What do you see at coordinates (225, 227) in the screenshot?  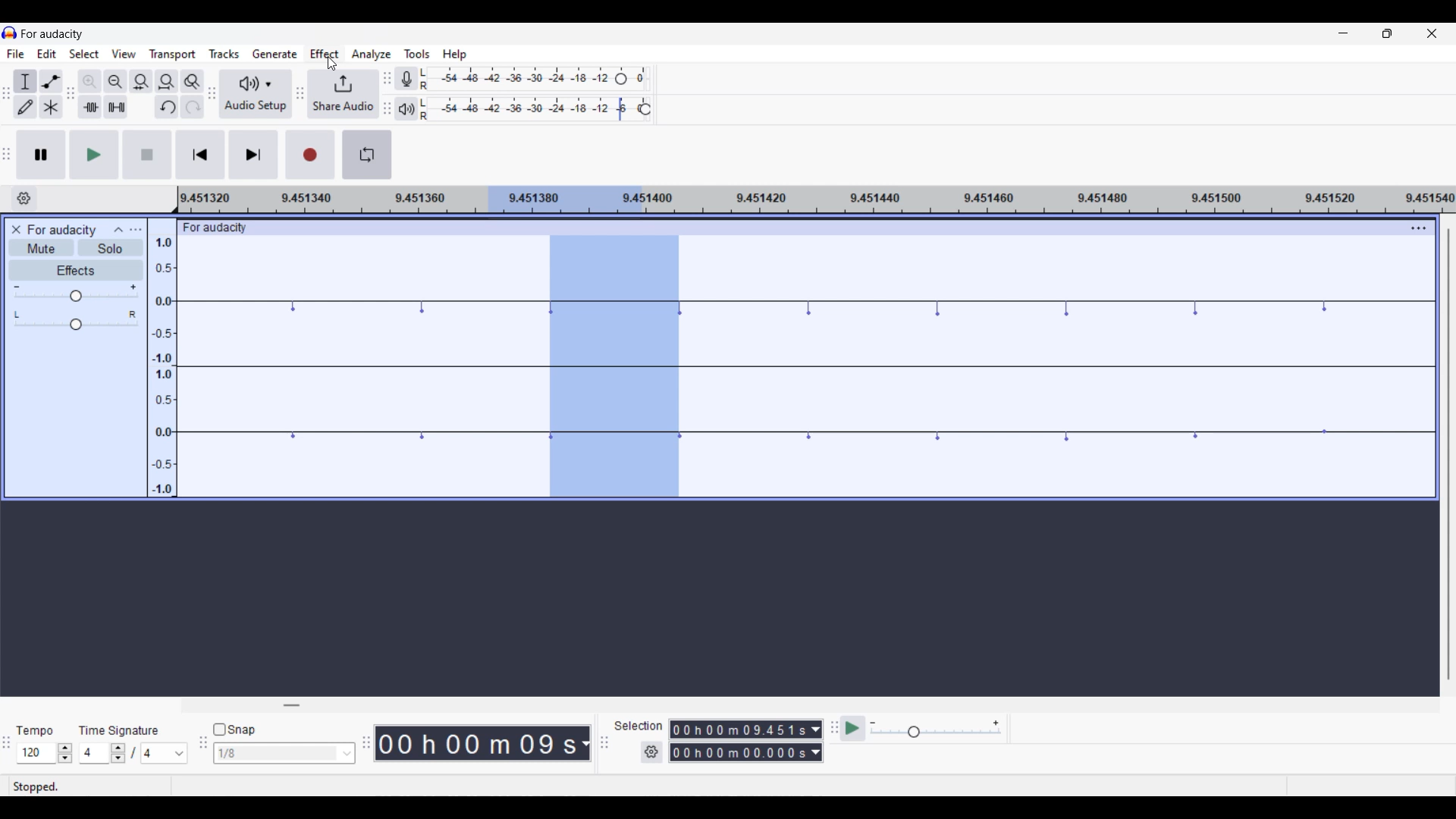 I see `For audacity` at bounding box center [225, 227].